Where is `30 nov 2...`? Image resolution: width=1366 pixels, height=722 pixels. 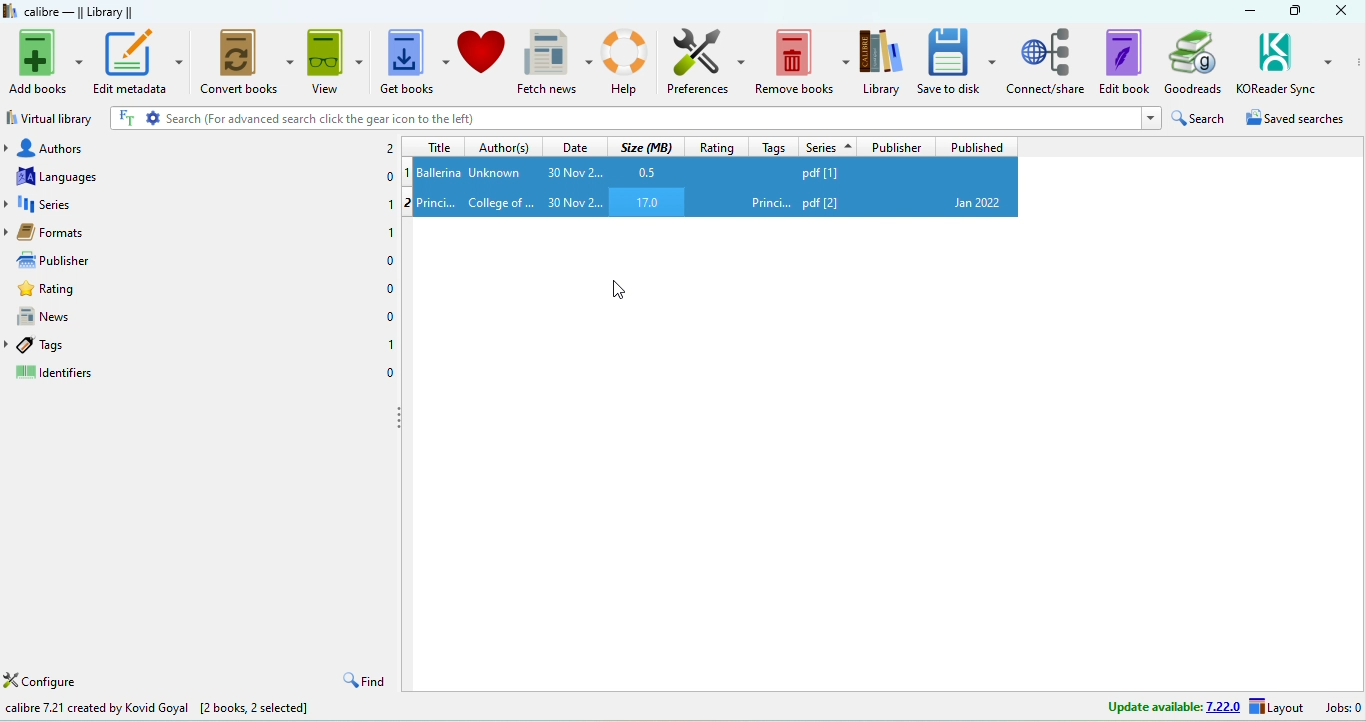
30 nov 2... is located at coordinates (576, 202).